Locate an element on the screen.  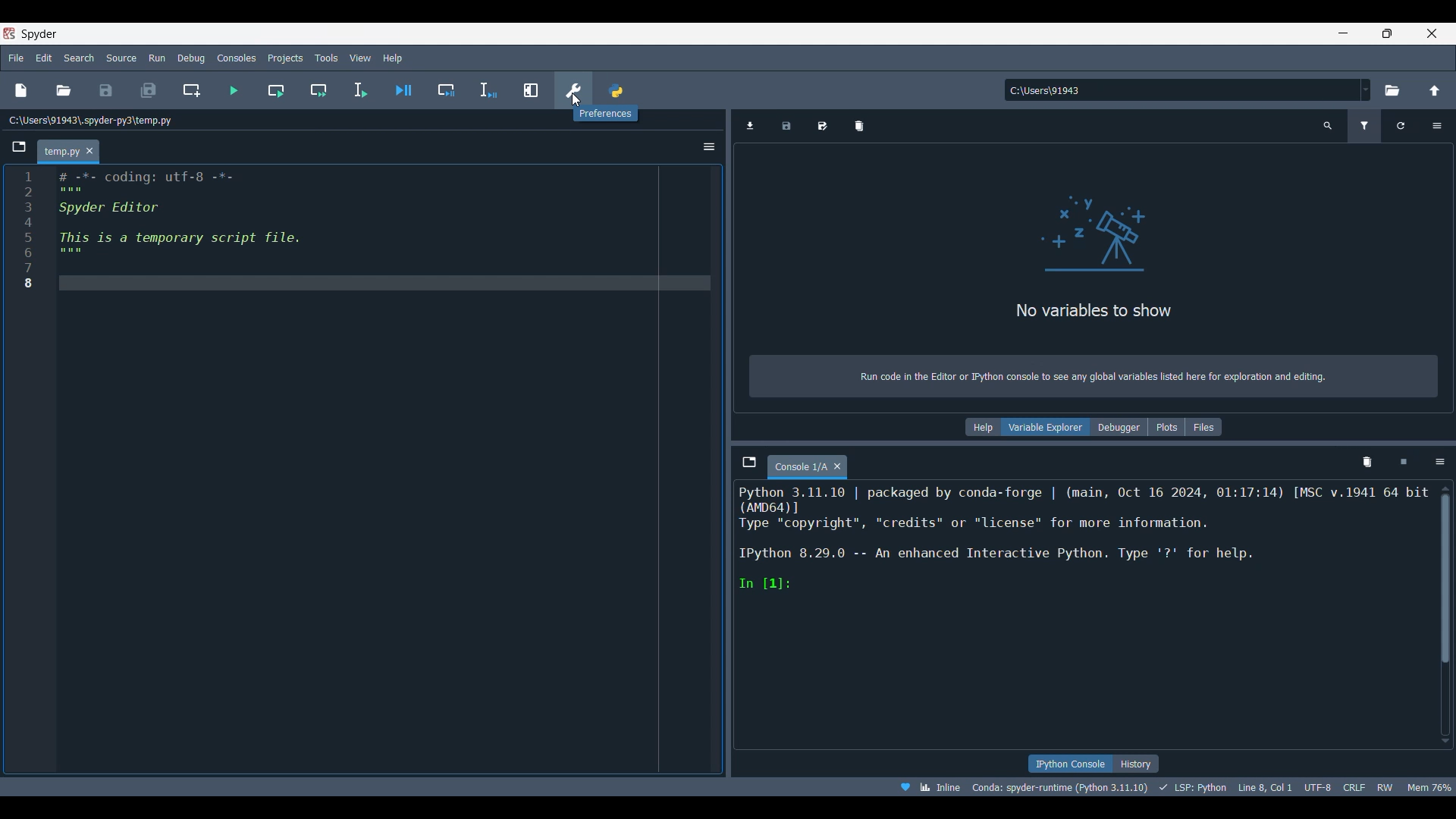
Browse tabs is located at coordinates (19, 147).